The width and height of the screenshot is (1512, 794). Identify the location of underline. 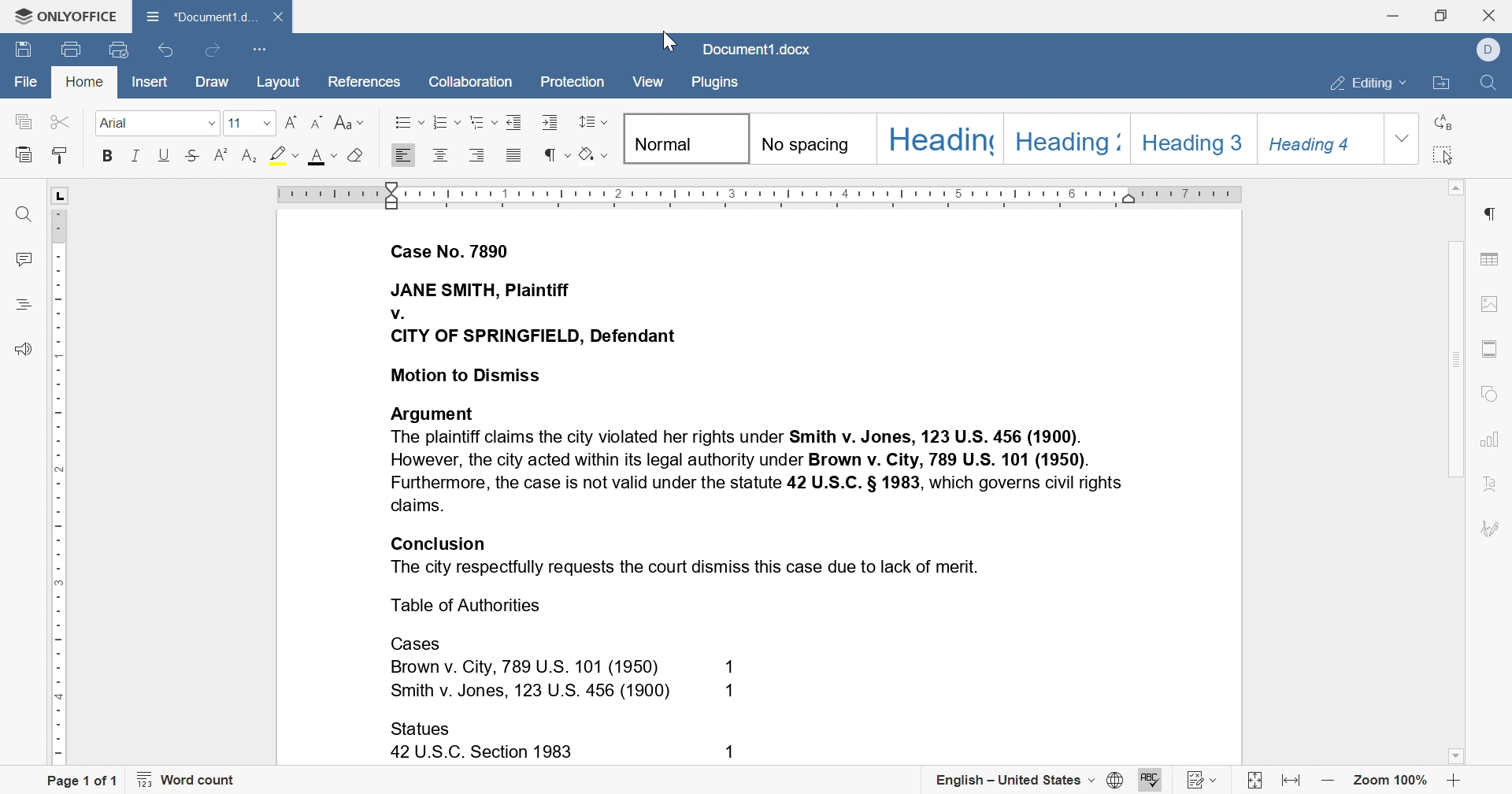
(165, 155).